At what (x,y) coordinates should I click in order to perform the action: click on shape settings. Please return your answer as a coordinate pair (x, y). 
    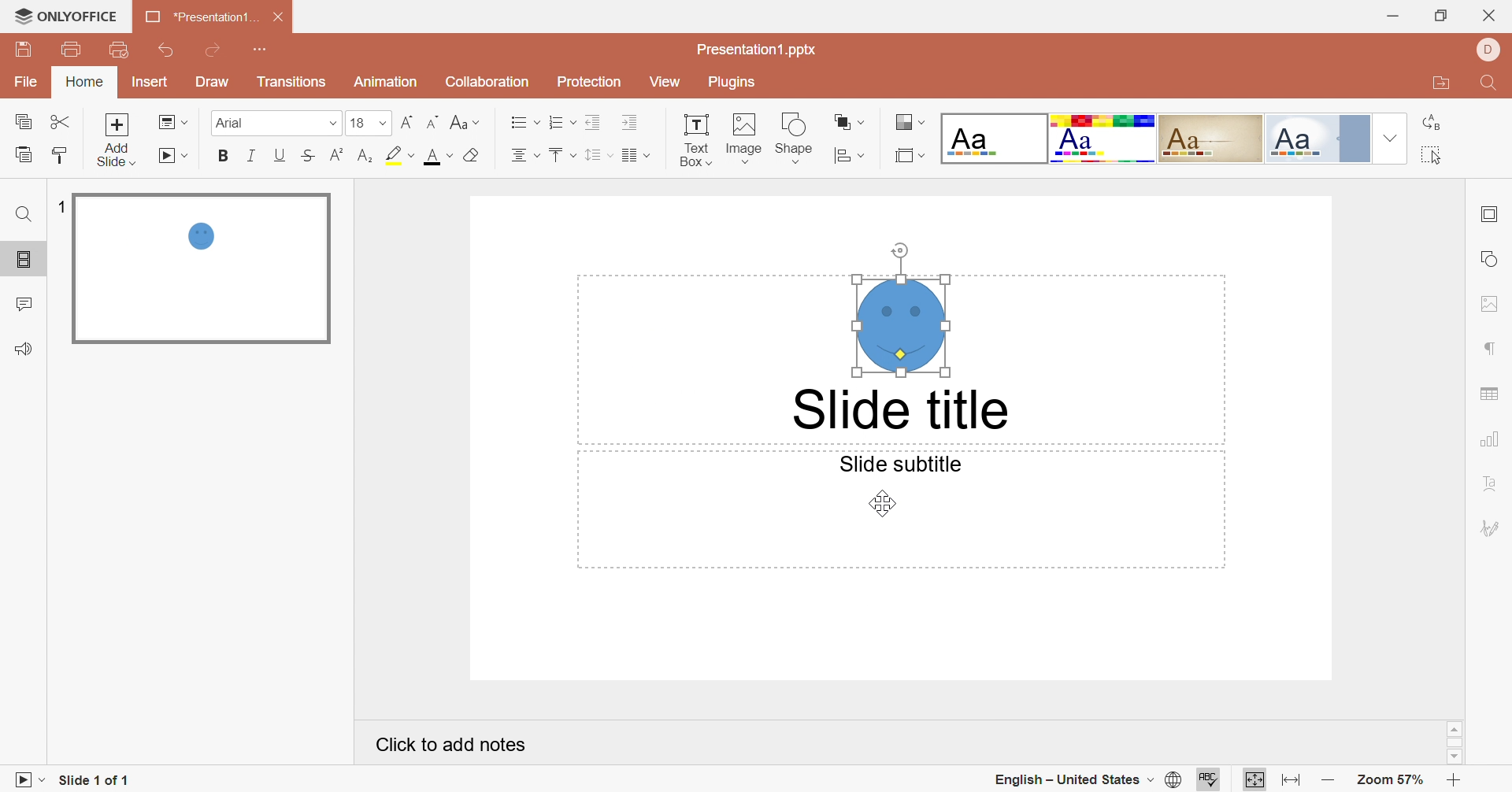
    Looking at the image, I should click on (1492, 260).